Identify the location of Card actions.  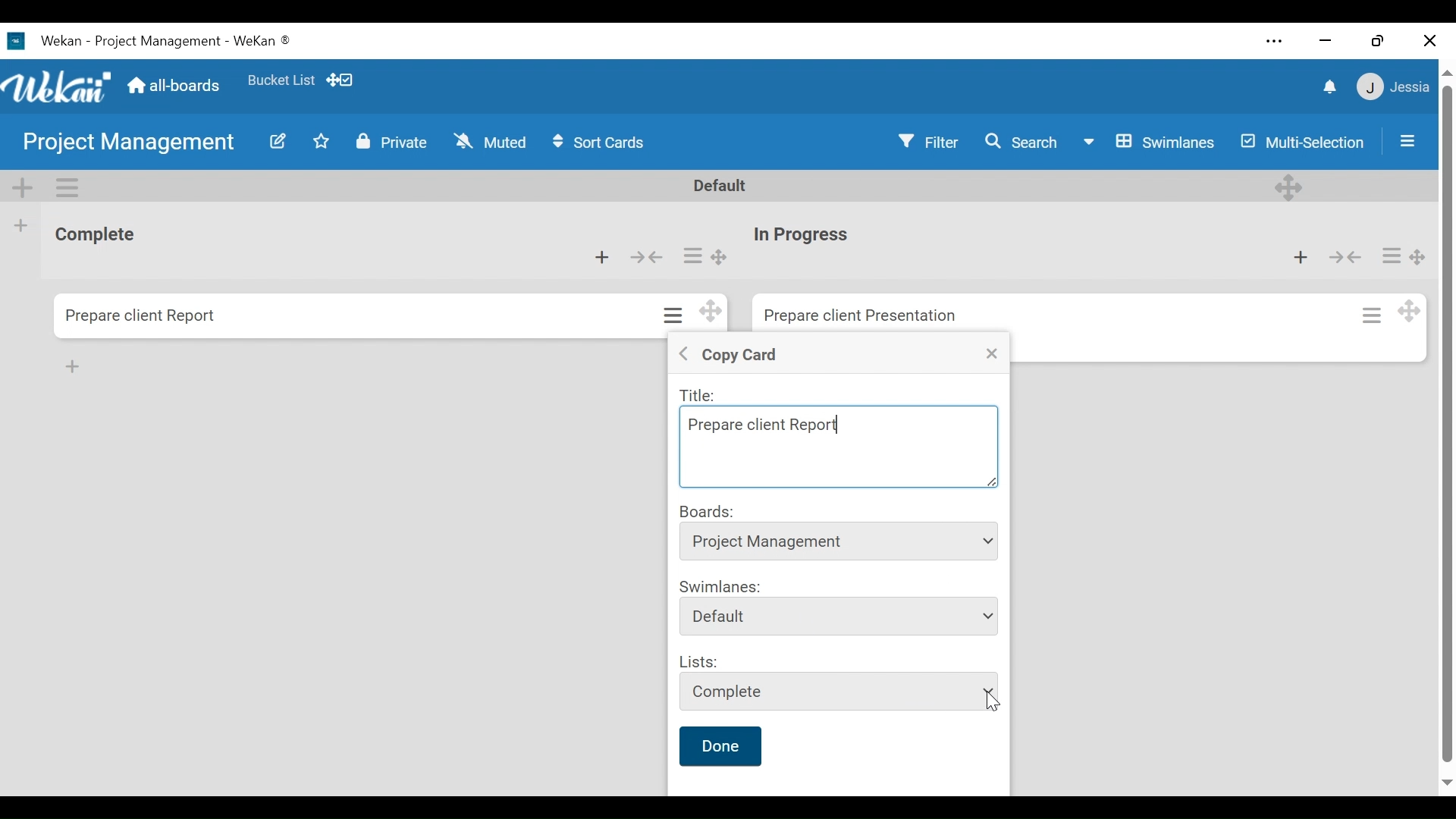
(1371, 312).